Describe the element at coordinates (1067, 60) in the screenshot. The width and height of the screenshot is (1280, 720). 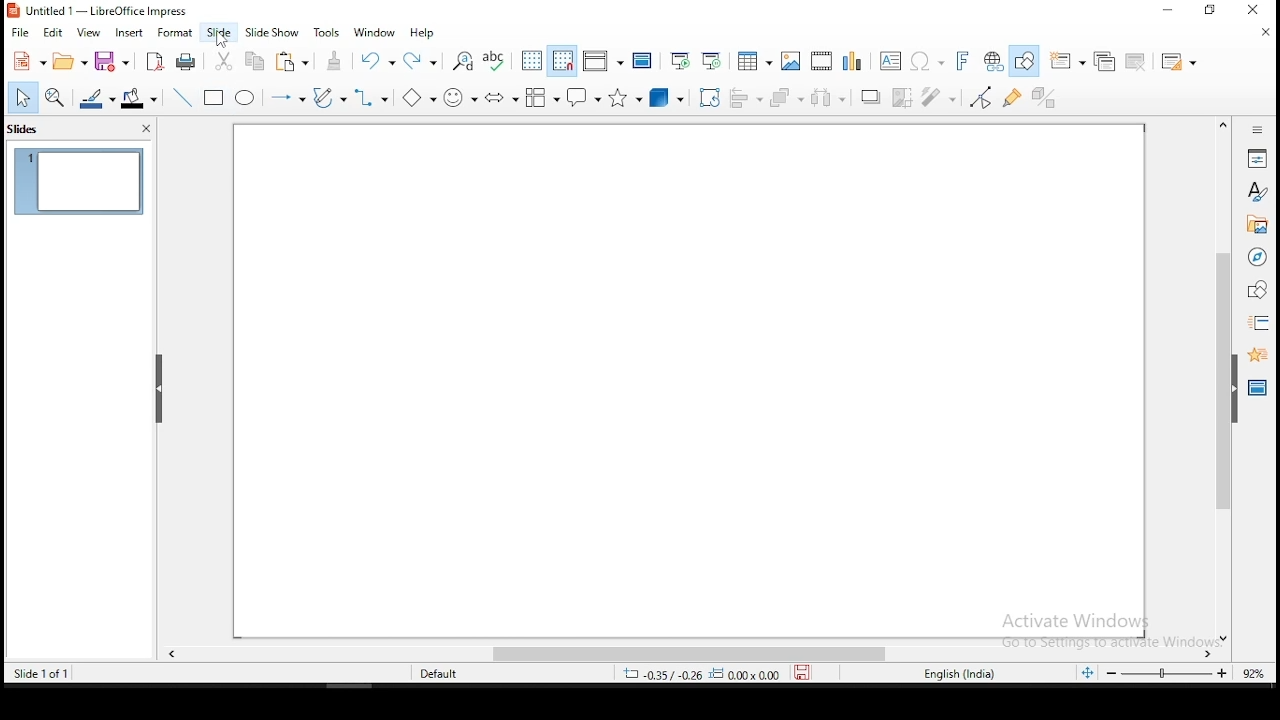
I see `new slide` at that location.